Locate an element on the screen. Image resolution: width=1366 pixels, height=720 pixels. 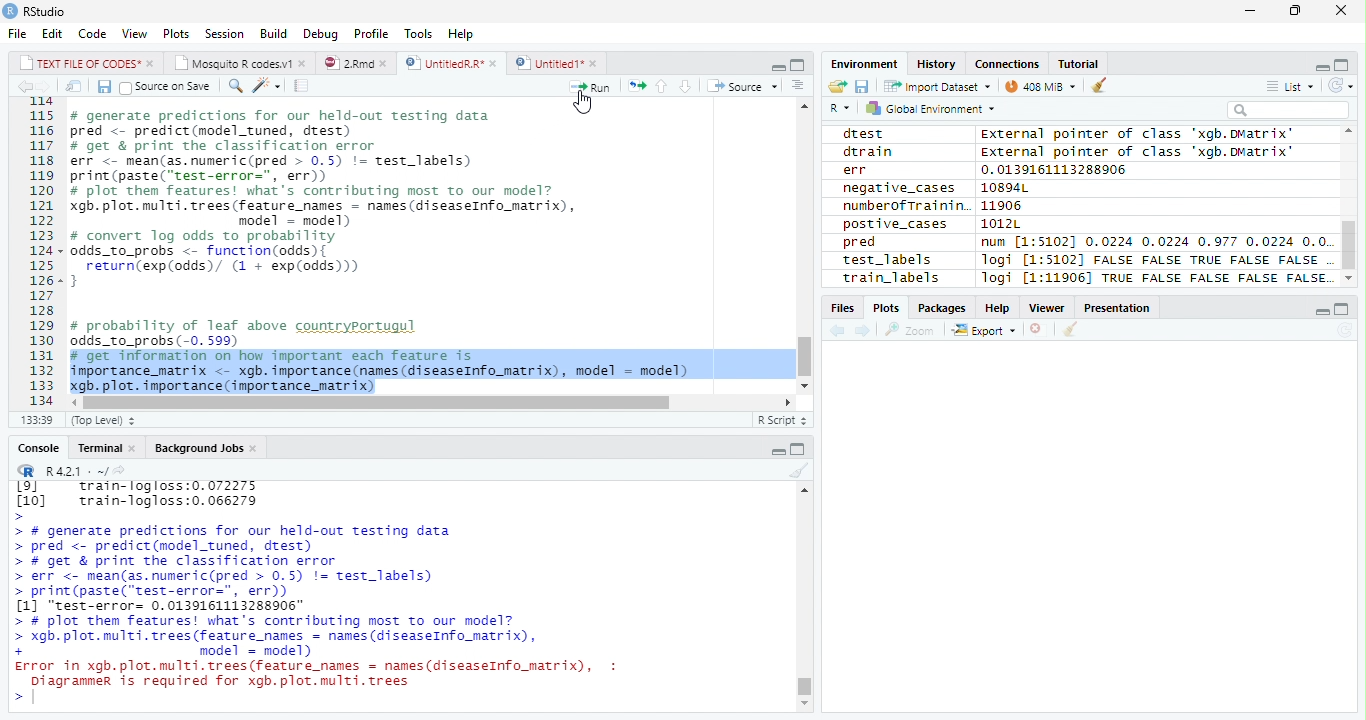
Maximize is located at coordinates (797, 63).